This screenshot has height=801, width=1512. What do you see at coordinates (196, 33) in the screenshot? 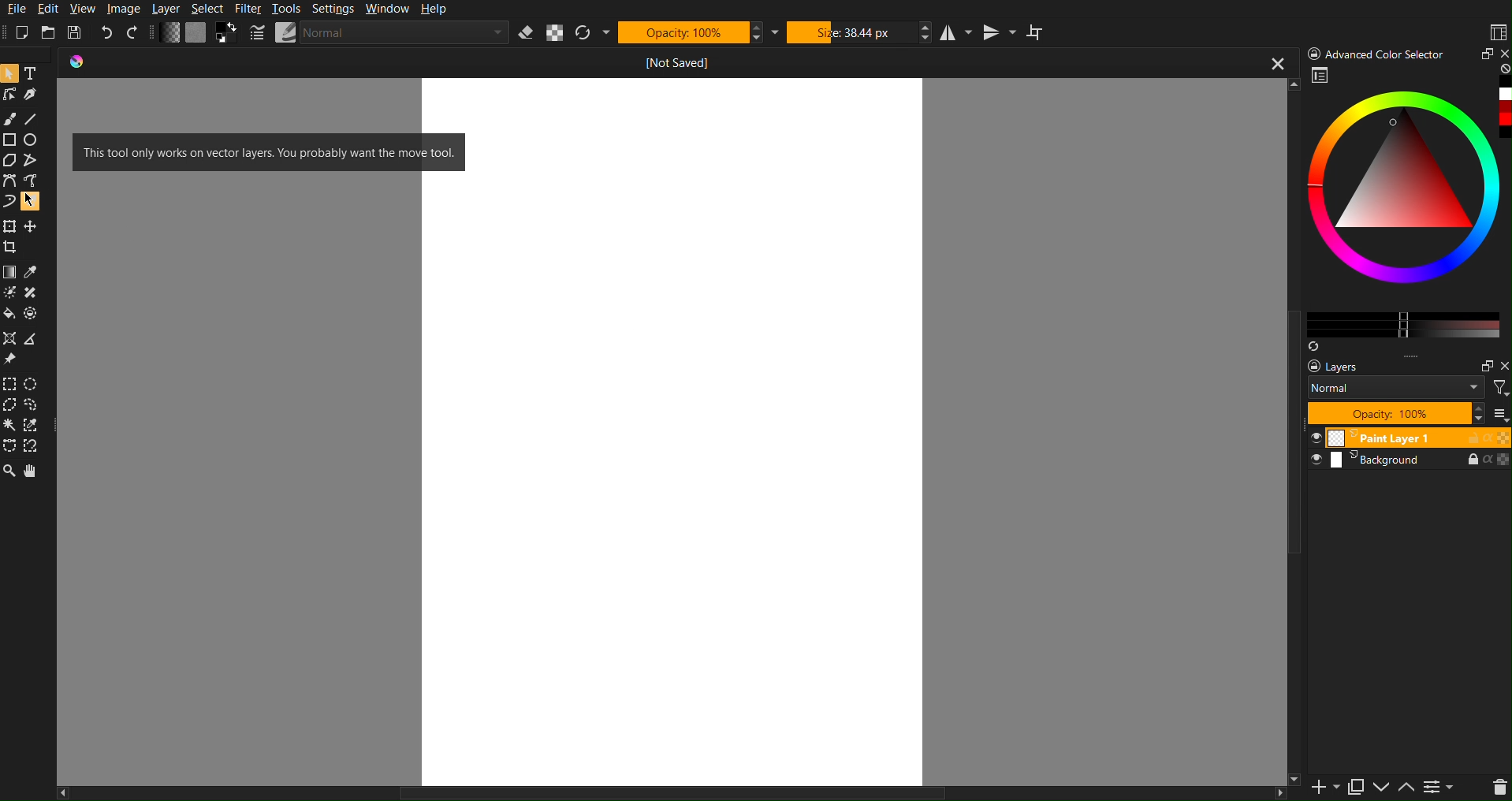
I see `Texture` at bounding box center [196, 33].